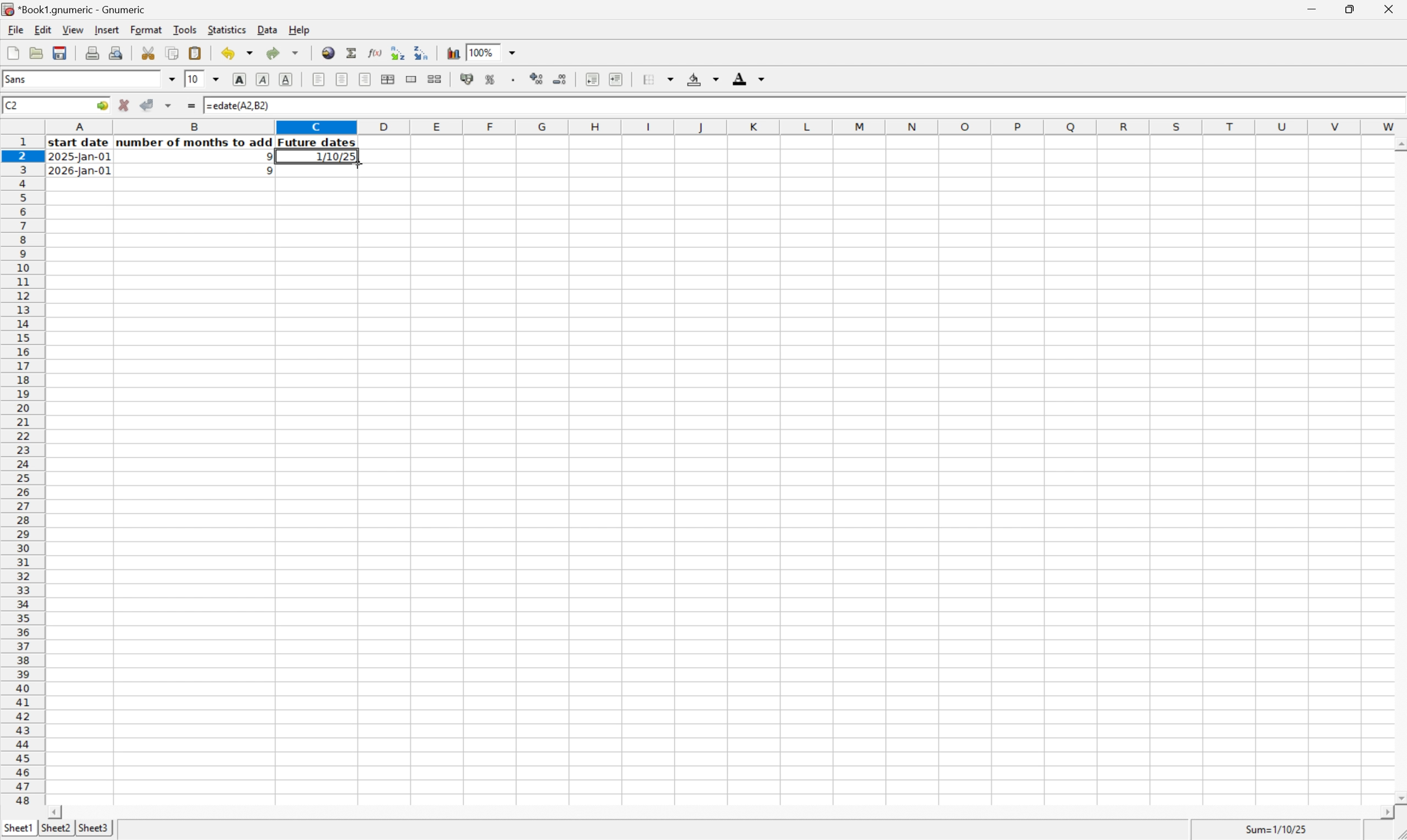 The image size is (1407, 840). What do you see at coordinates (12, 53) in the screenshot?
I see `Create new workbook` at bounding box center [12, 53].